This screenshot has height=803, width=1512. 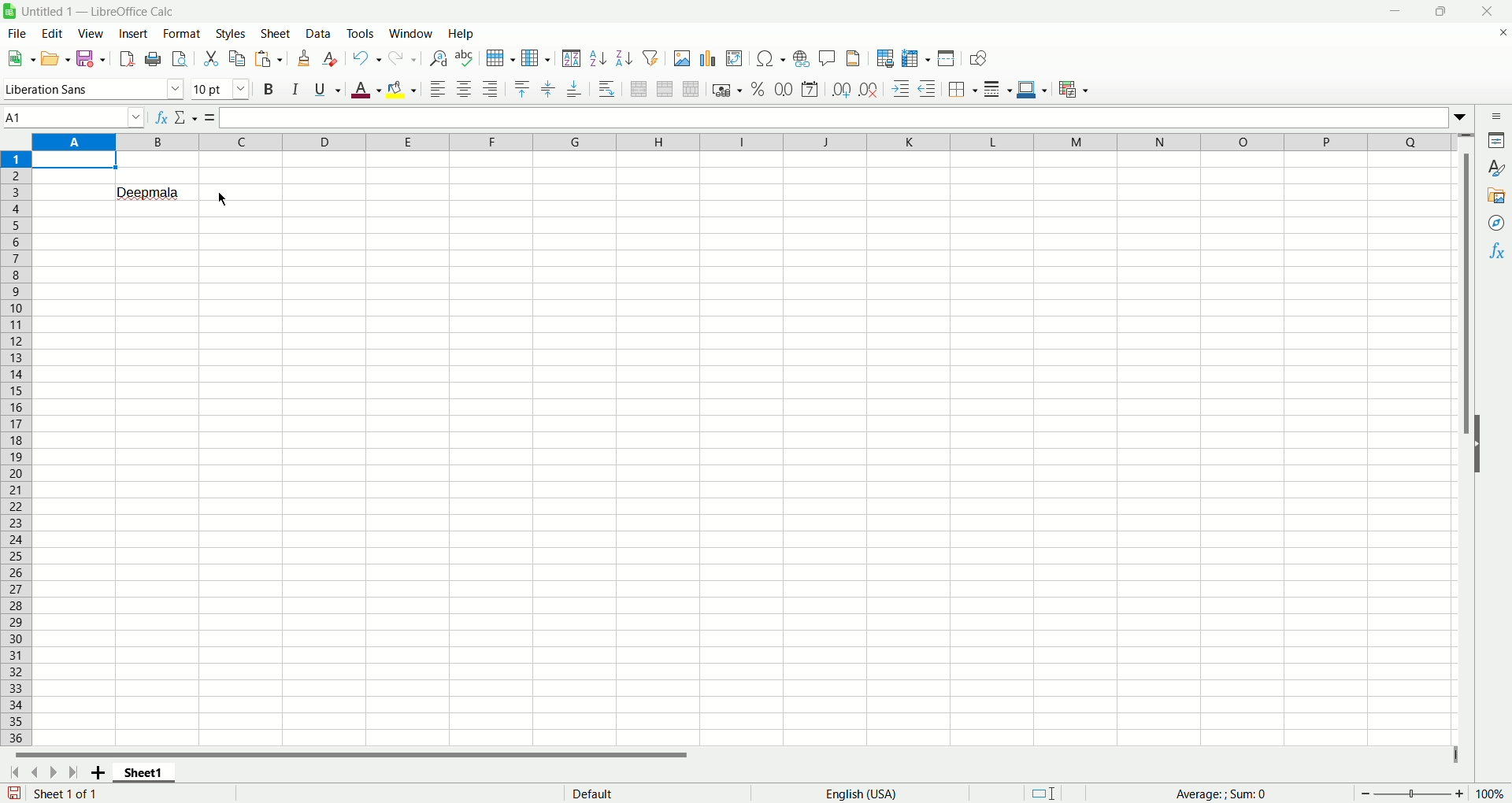 I want to click on Borders, so click(x=962, y=90).